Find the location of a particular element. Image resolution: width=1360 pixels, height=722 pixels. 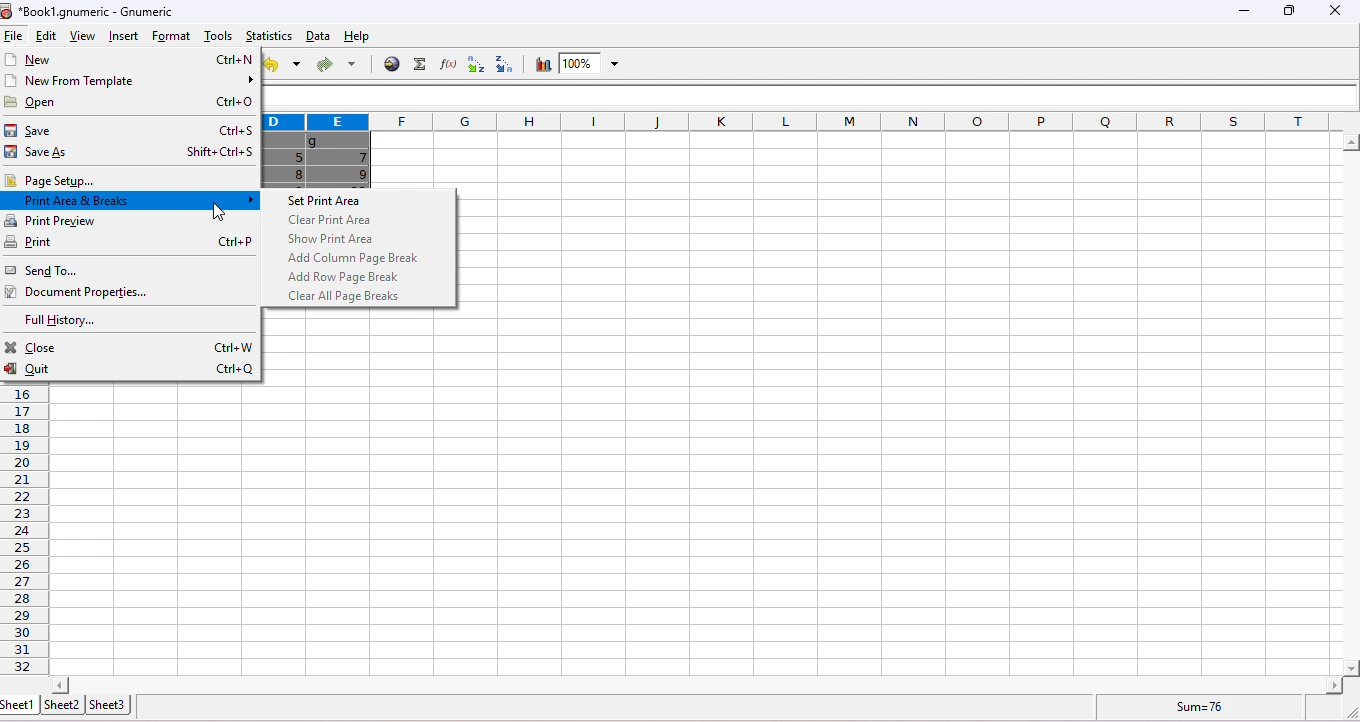

title is located at coordinates (90, 11).